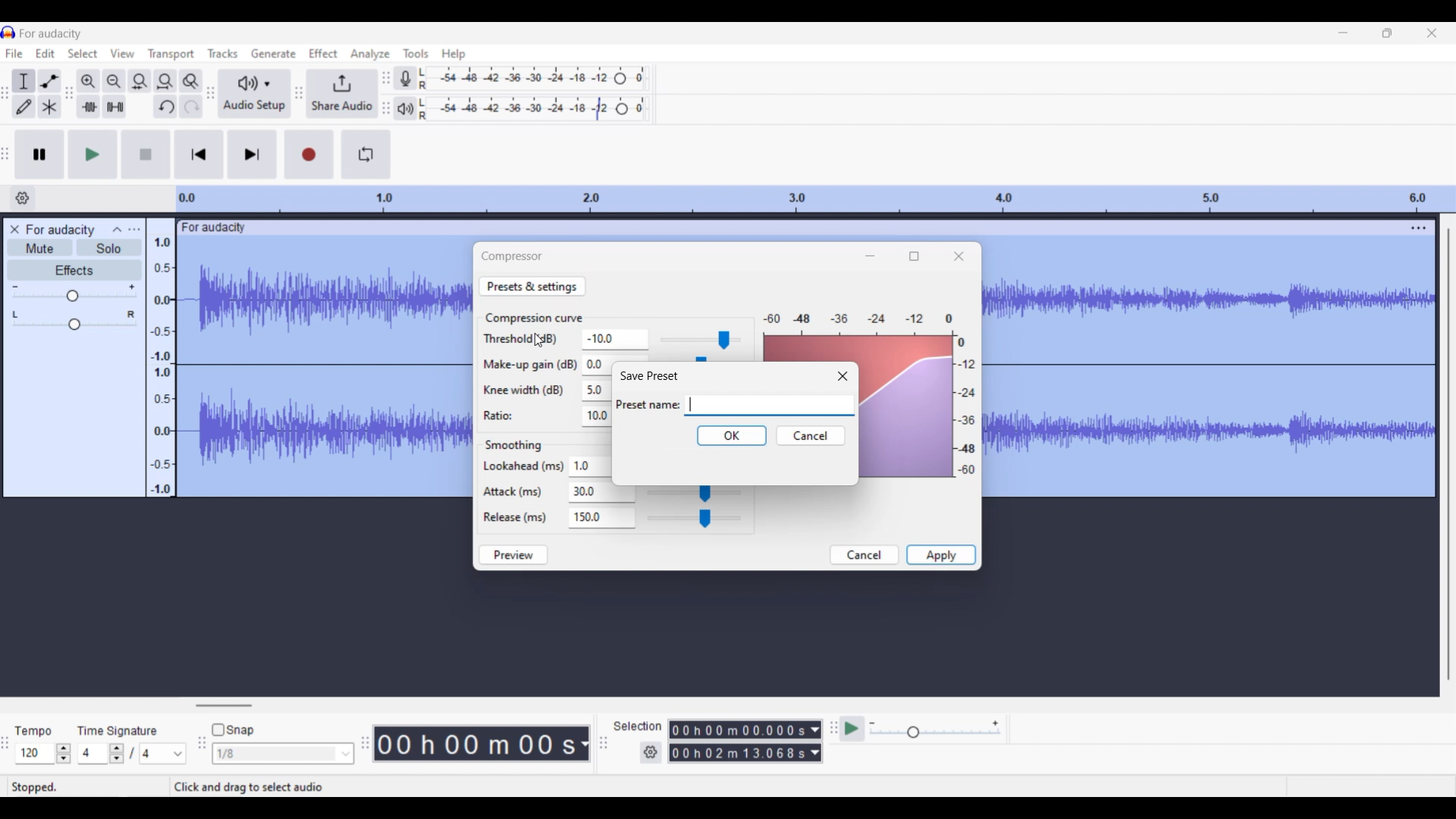 The image size is (1456, 819). I want to click on Text box for Lookahead, so click(591, 466).